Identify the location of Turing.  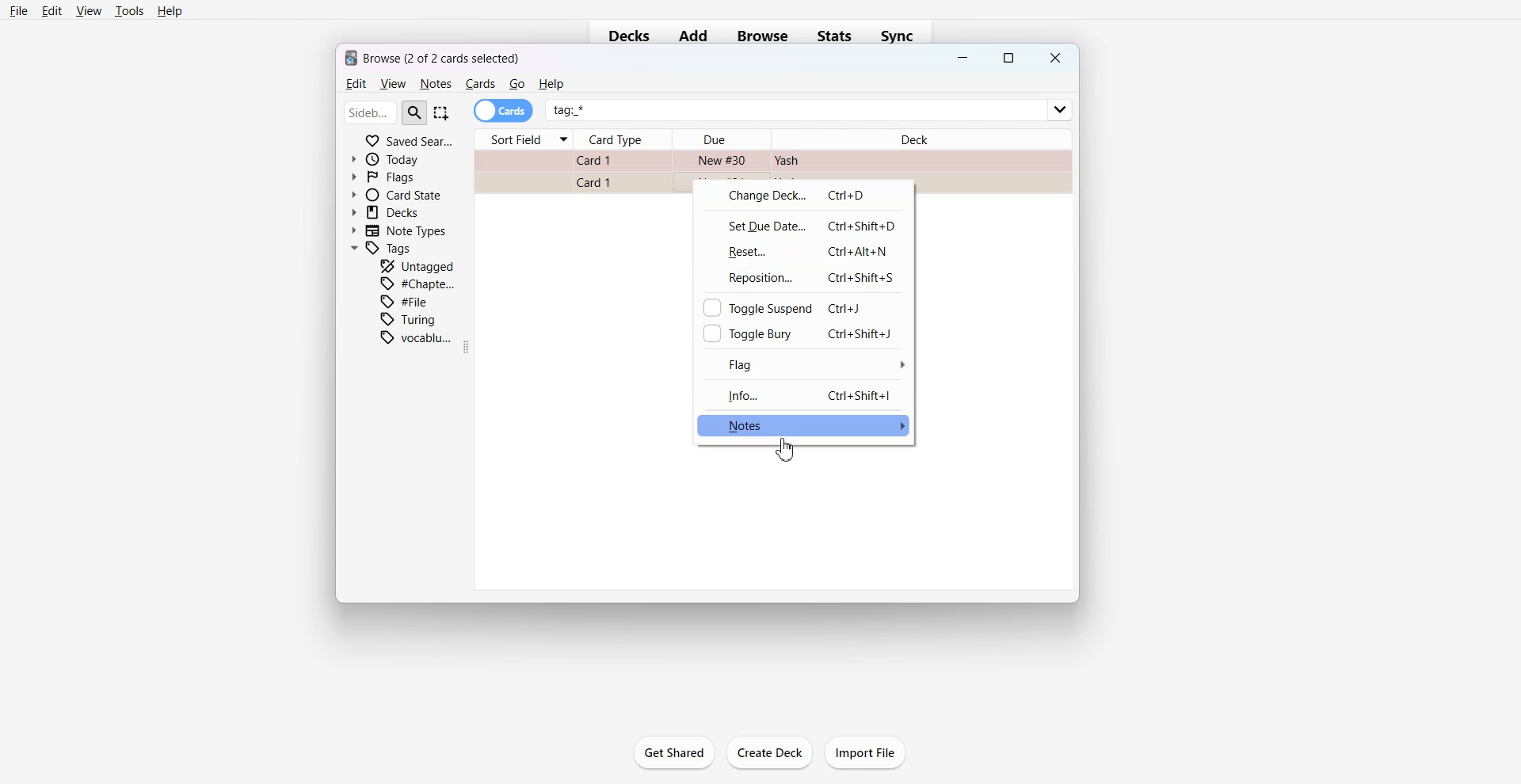
(409, 319).